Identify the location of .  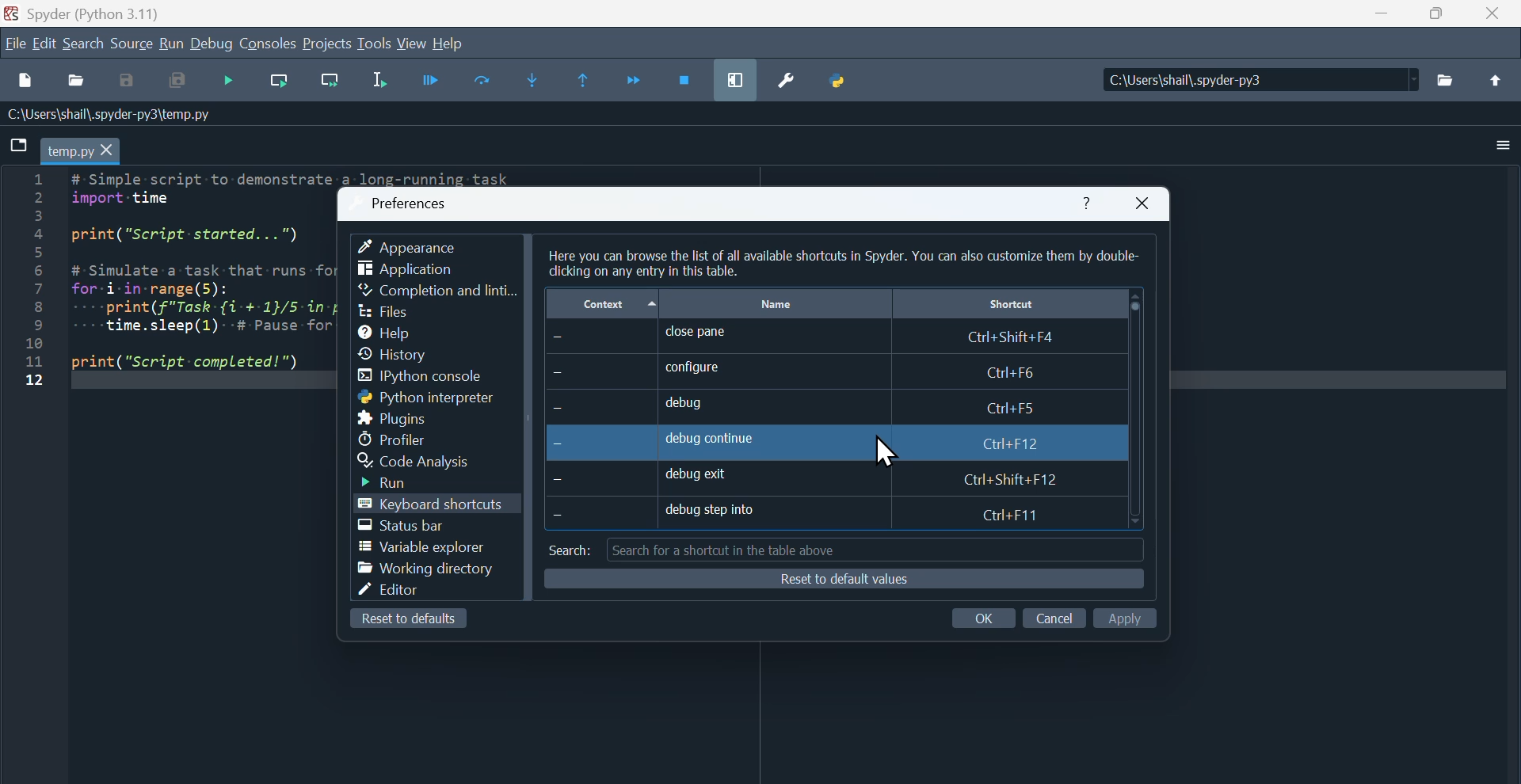
(115, 116).